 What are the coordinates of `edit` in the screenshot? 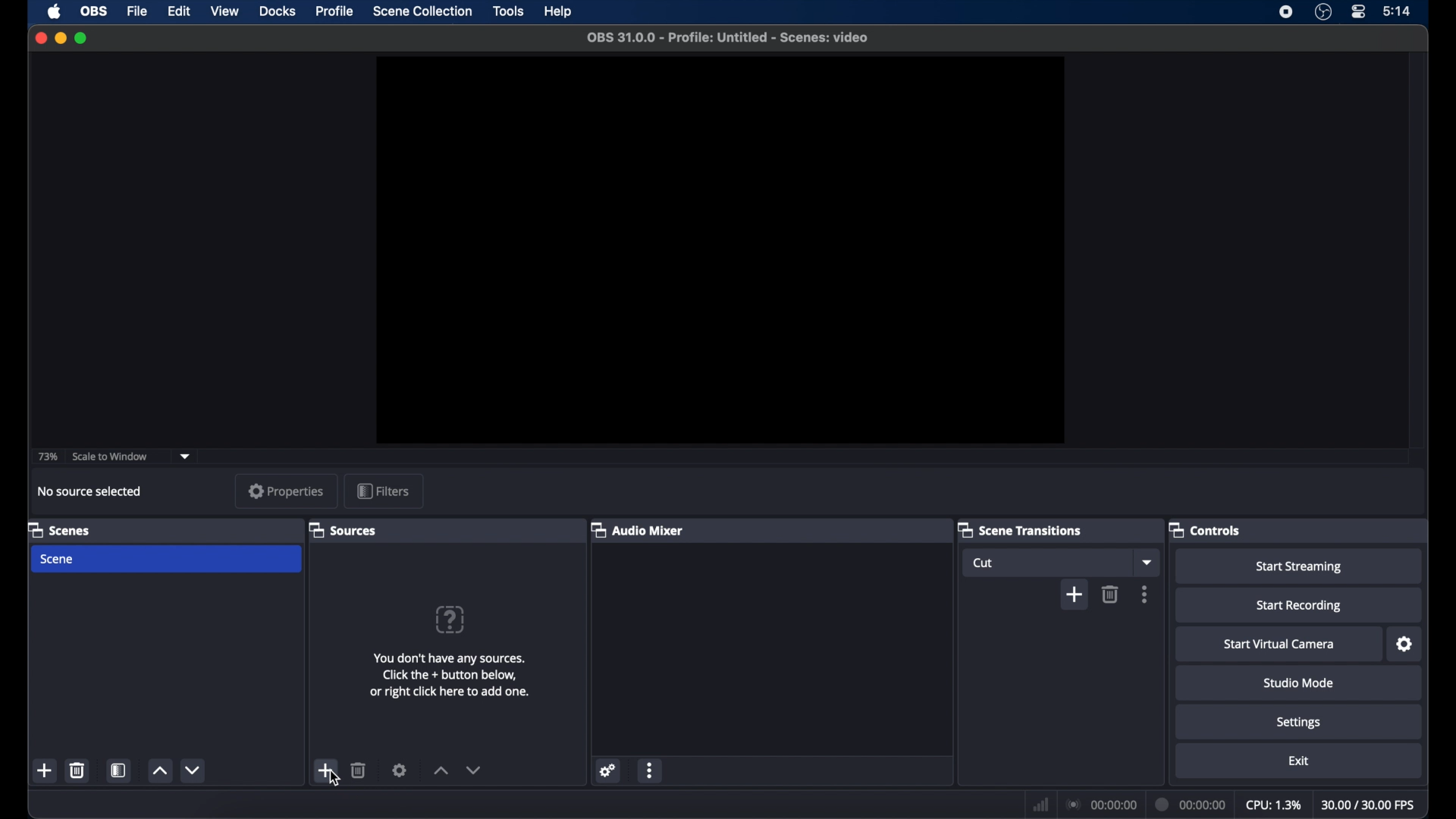 It's located at (177, 12).